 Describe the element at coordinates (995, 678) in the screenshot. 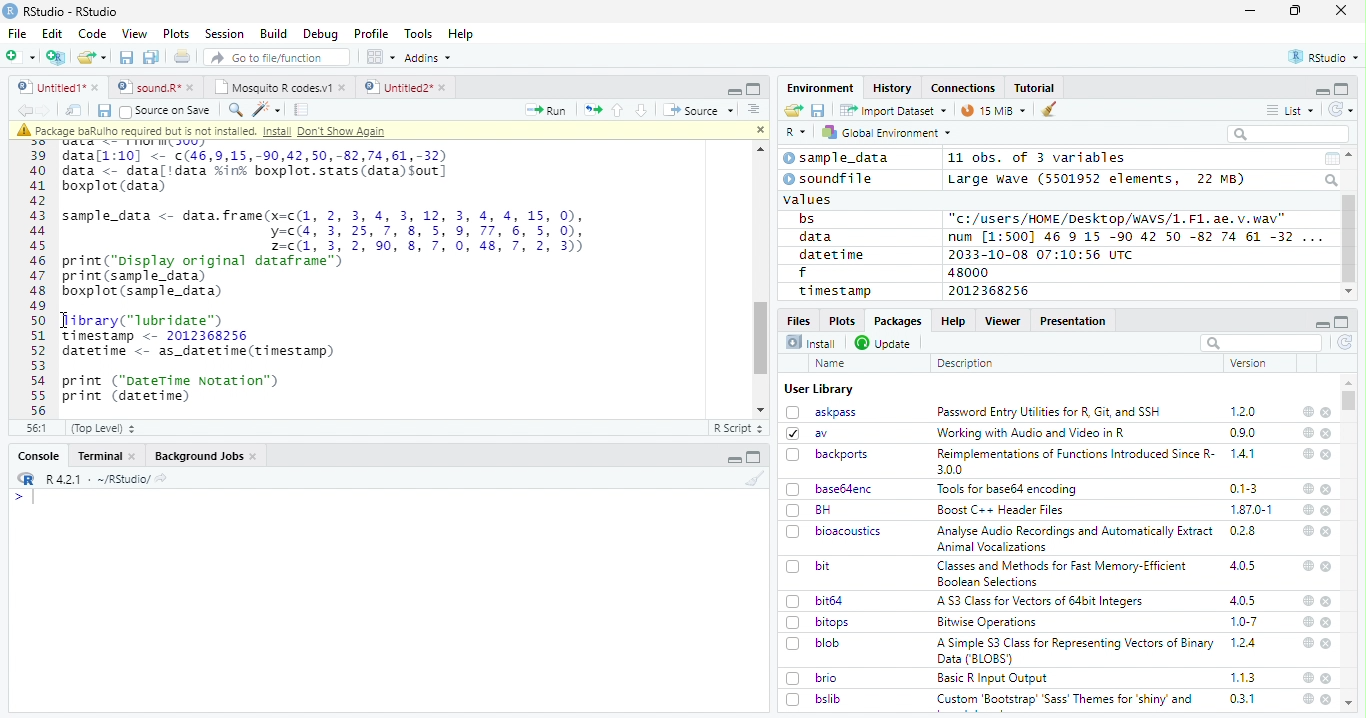

I see `Basic R Input Output` at that location.